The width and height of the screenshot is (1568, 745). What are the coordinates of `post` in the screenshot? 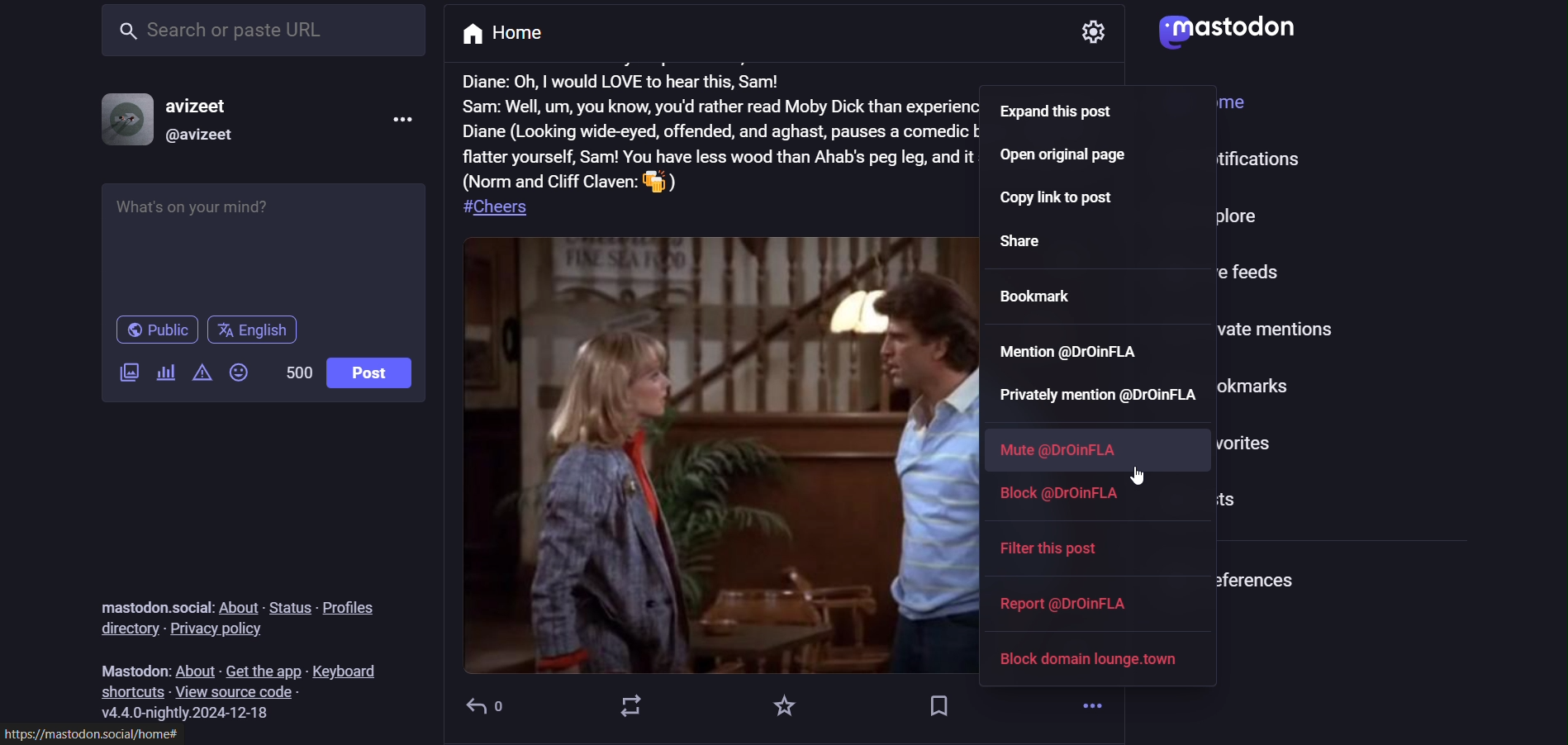 It's located at (715, 148).